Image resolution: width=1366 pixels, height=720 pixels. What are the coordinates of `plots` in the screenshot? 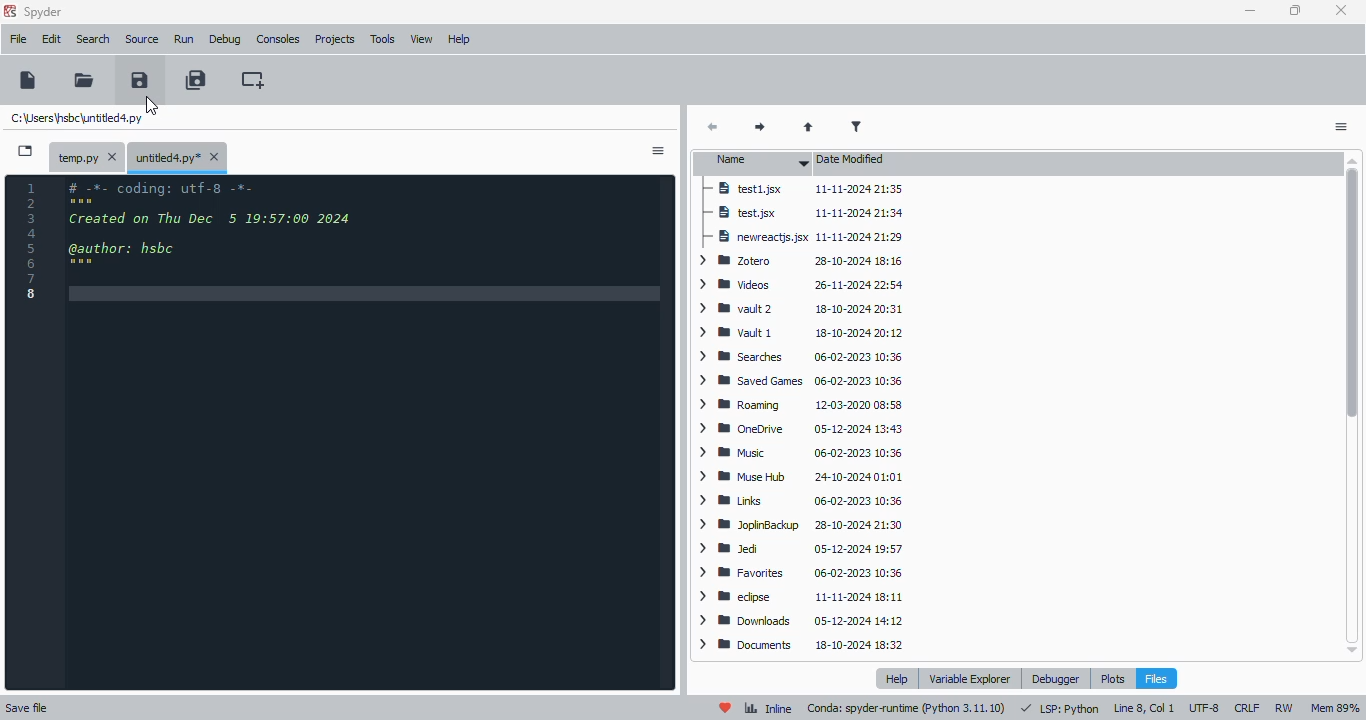 It's located at (1113, 678).